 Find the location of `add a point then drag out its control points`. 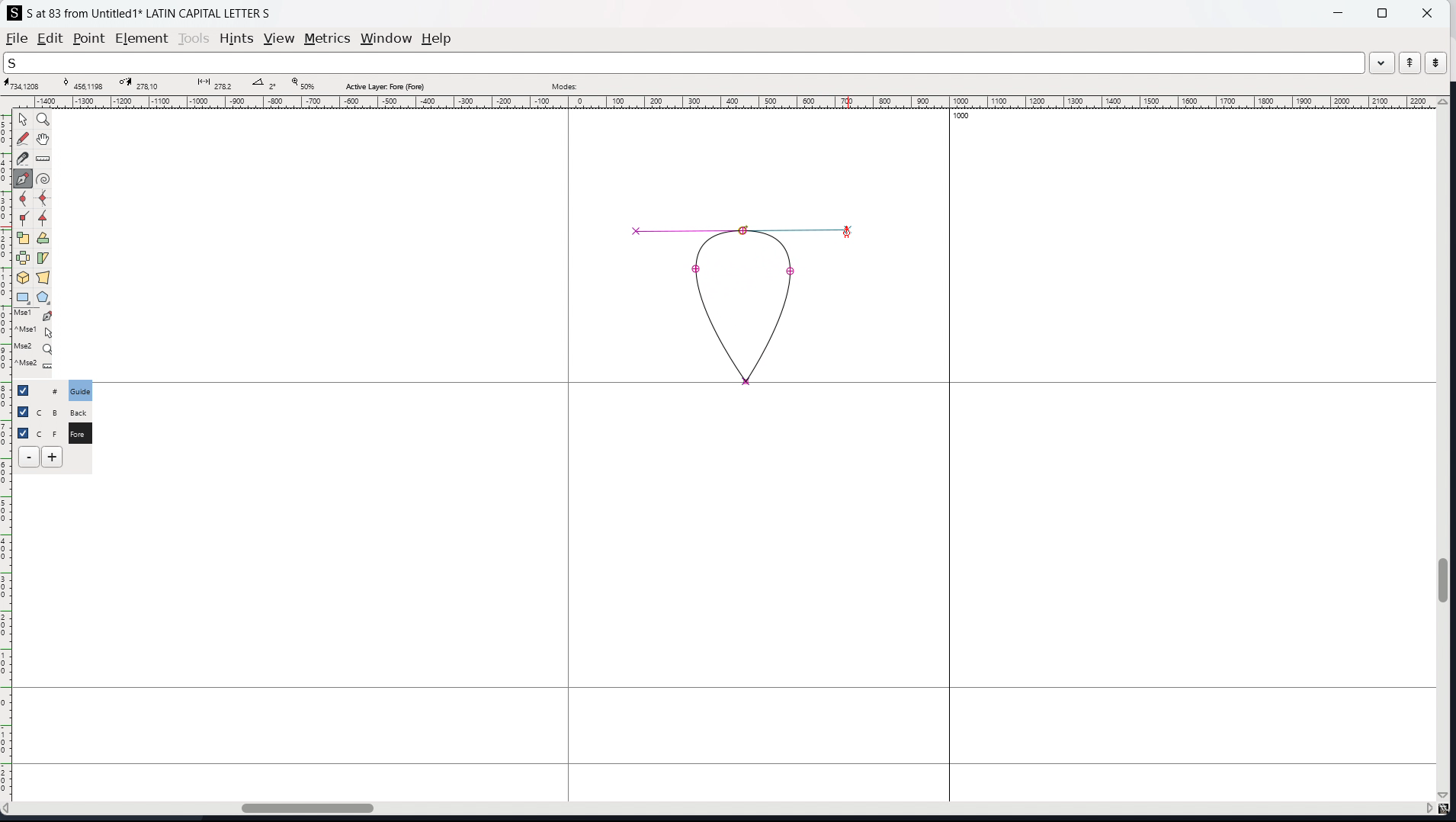

add a point then drag out its control points is located at coordinates (24, 178).